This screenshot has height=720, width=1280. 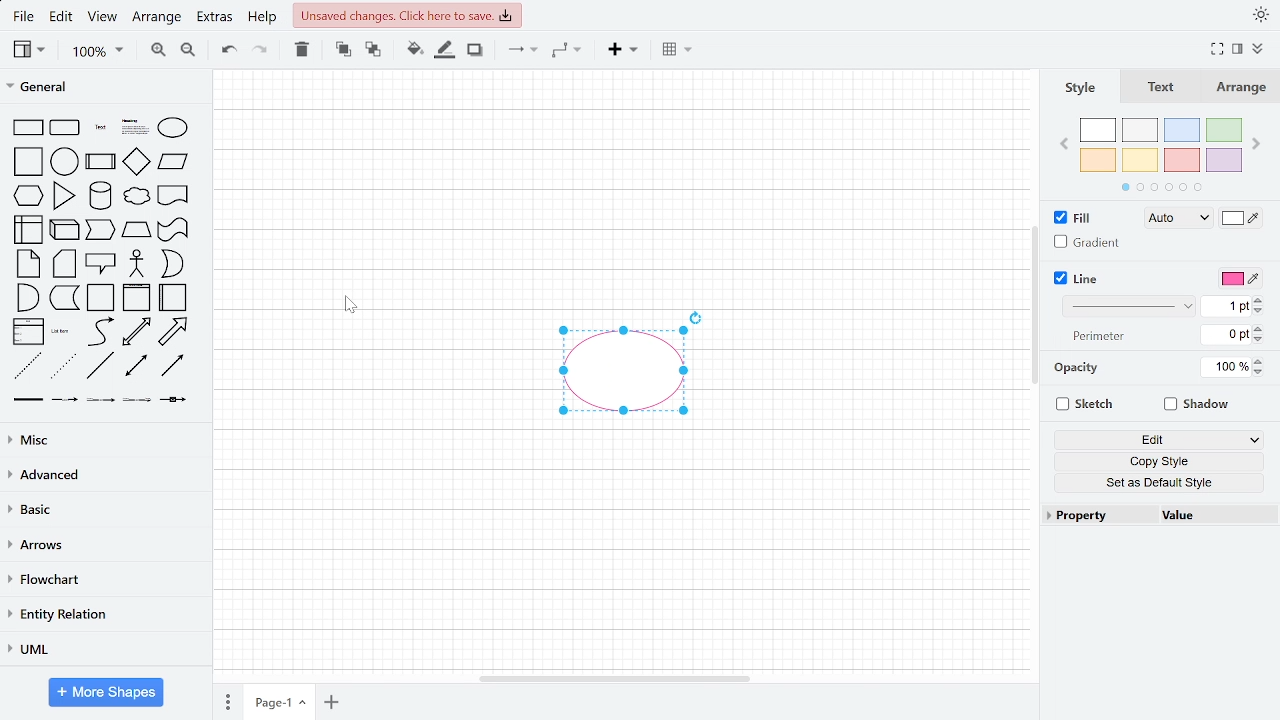 I want to click on horizontal container, so click(x=172, y=299).